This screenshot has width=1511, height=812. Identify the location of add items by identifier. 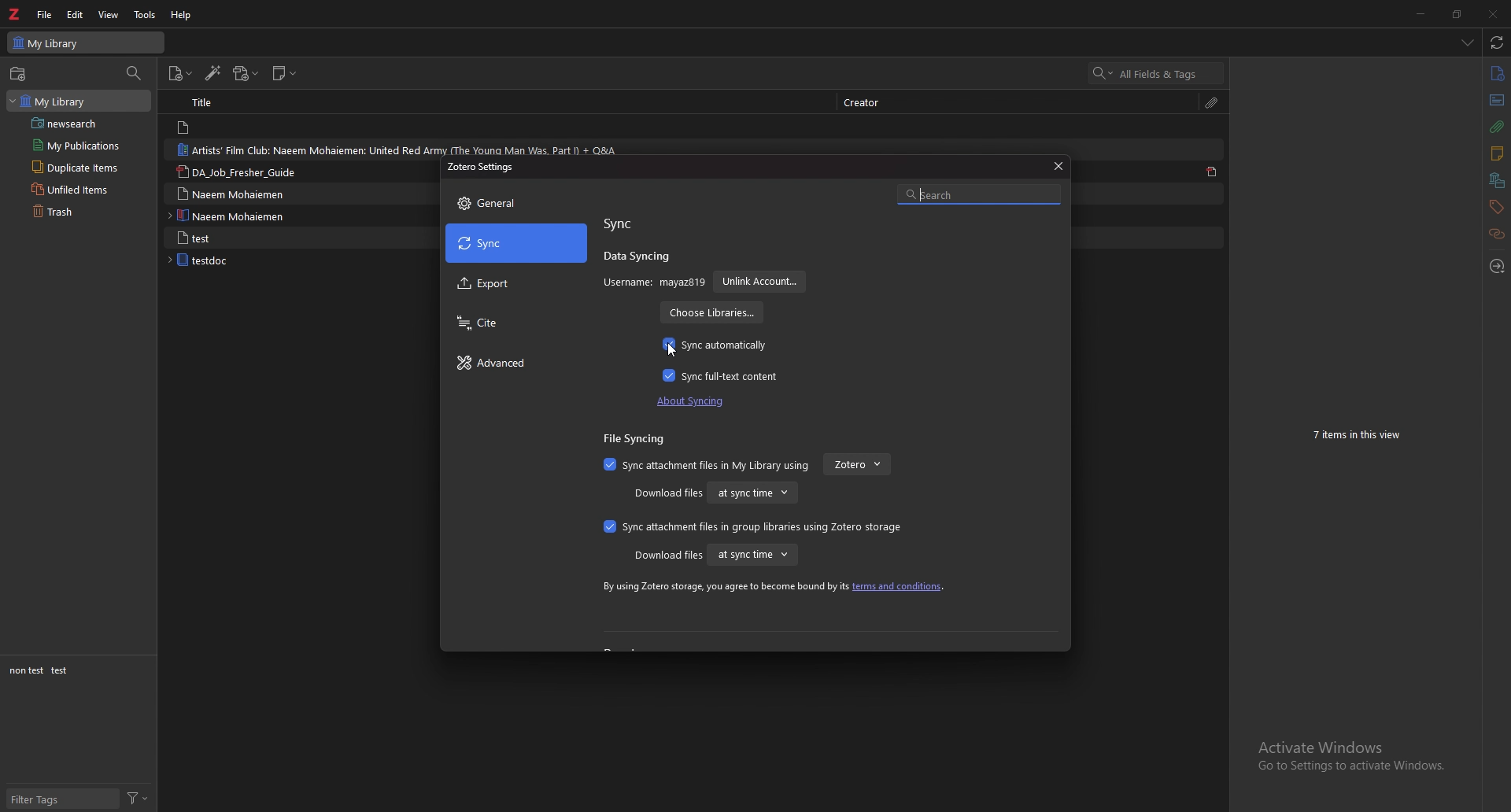
(215, 74).